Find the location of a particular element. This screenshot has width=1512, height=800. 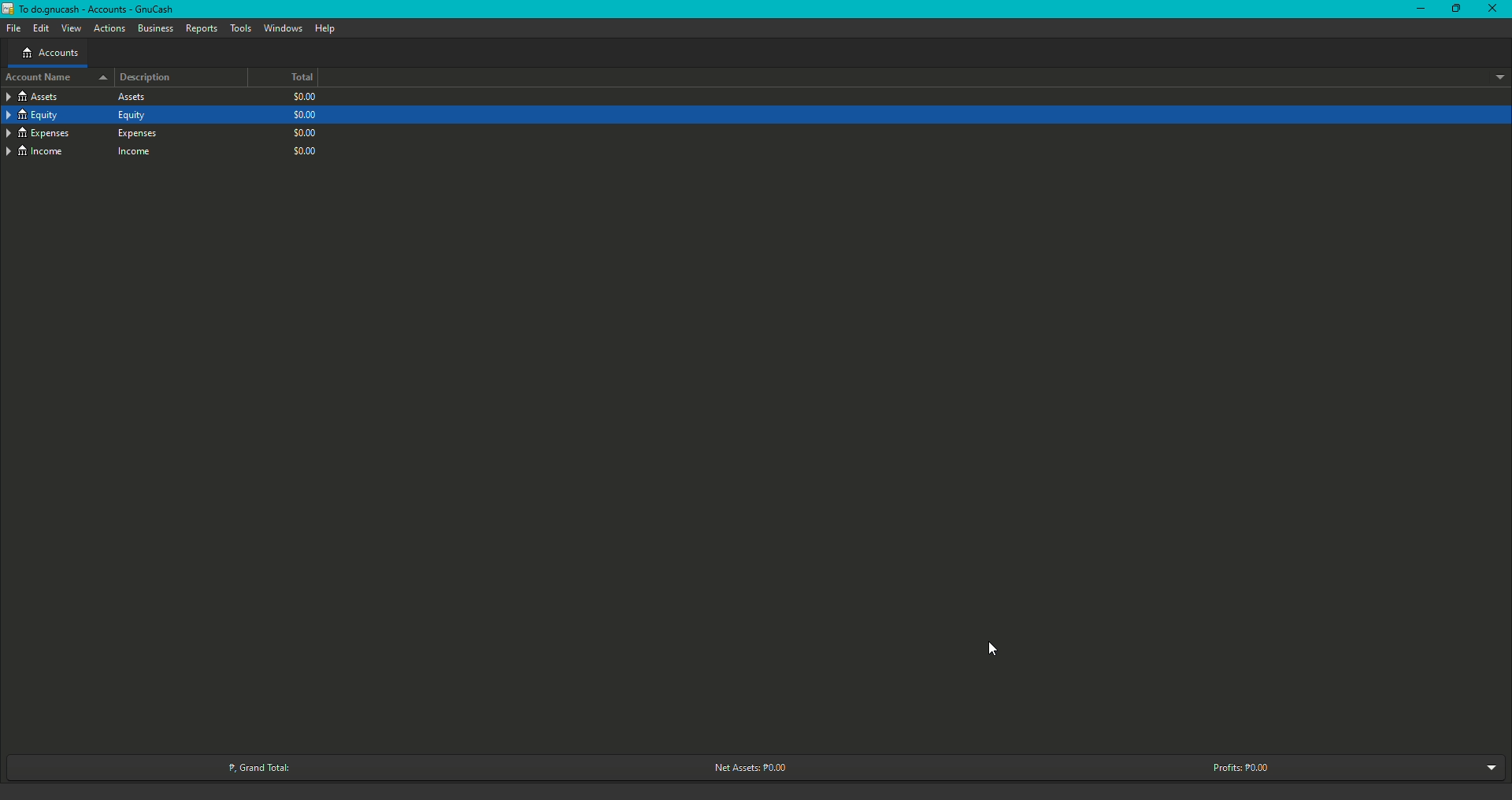

Profits is located at coordinates (1244, 767).